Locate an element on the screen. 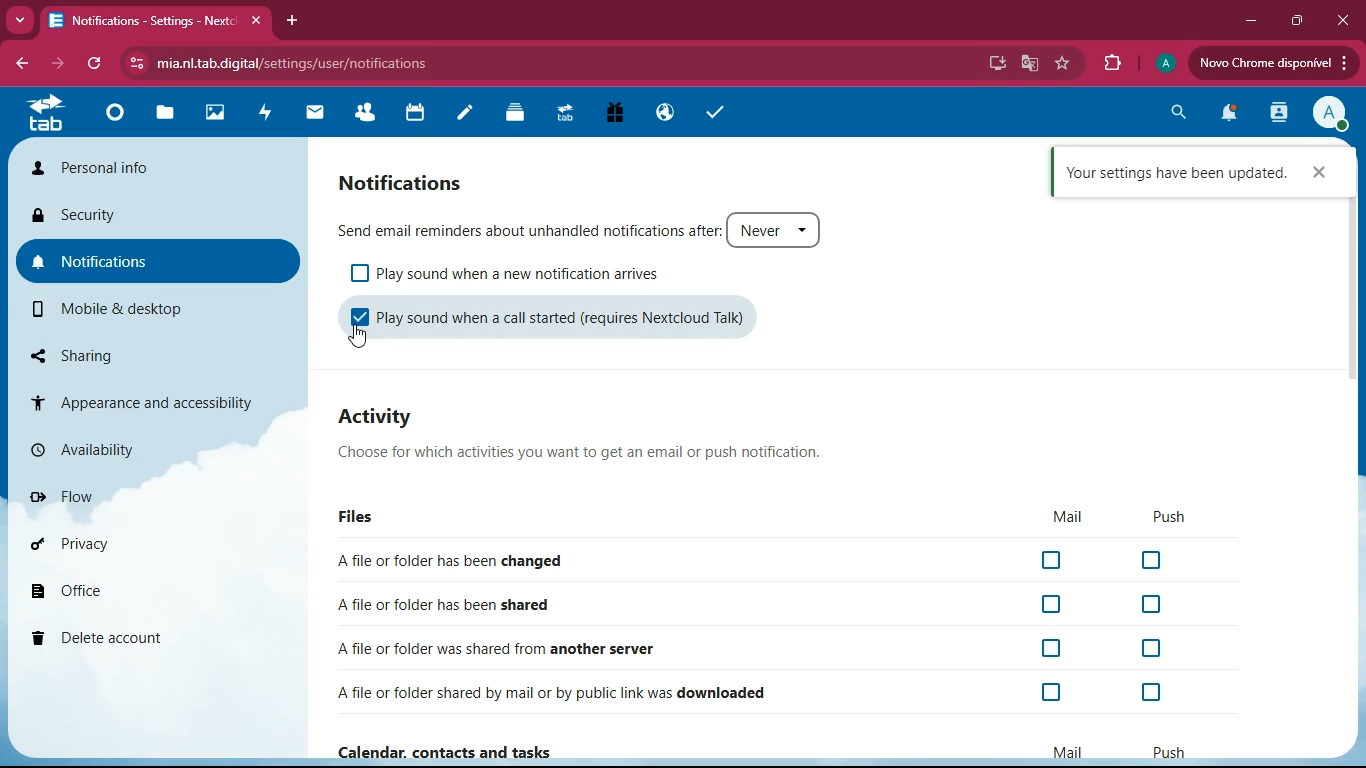  push is located at coordinates (1169, 519).